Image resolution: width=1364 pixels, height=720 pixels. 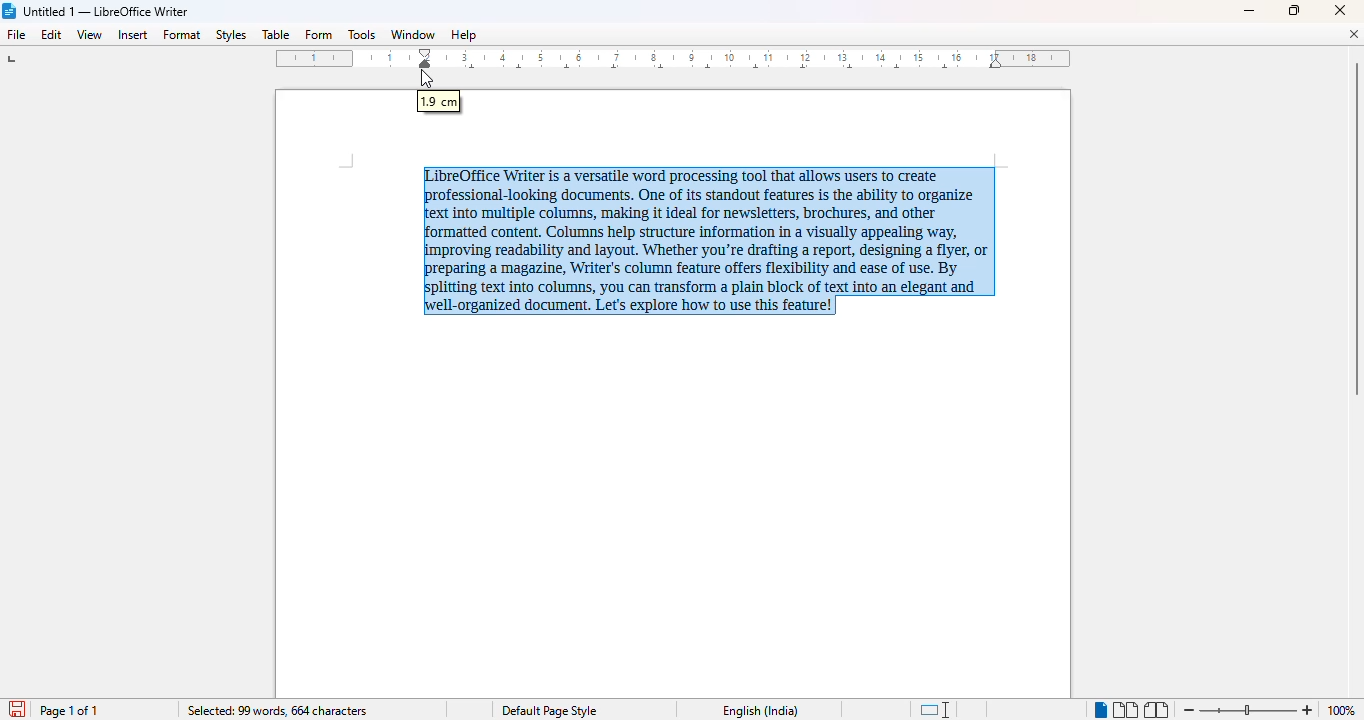 What do you see at coordinates (318, 35) in the screenshot?
I see `form` at bounding box center [318, 35].